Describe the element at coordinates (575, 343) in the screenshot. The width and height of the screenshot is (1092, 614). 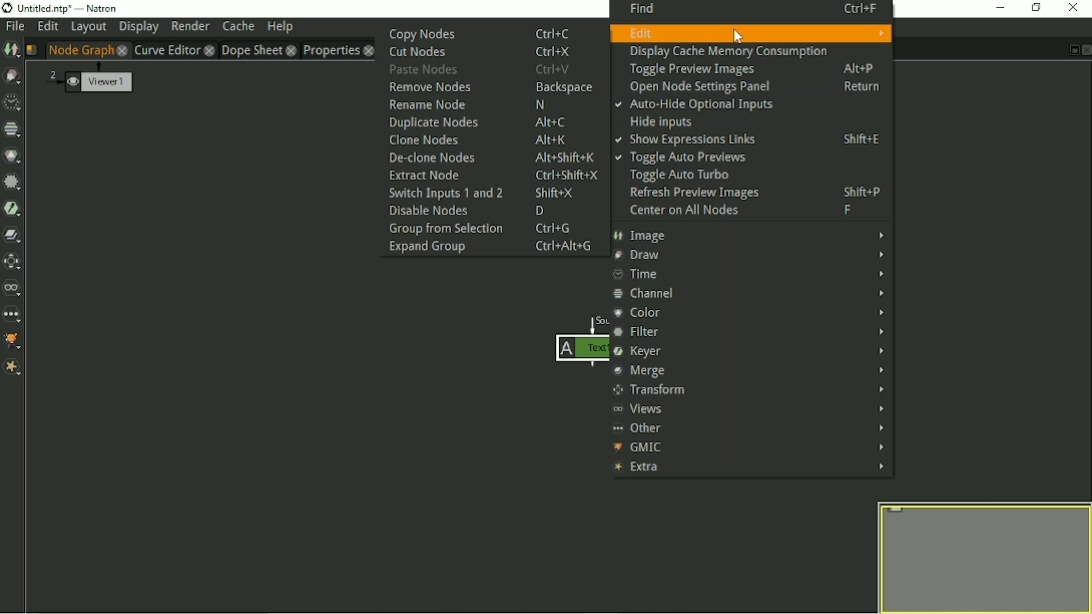
I see `Node` at that location.